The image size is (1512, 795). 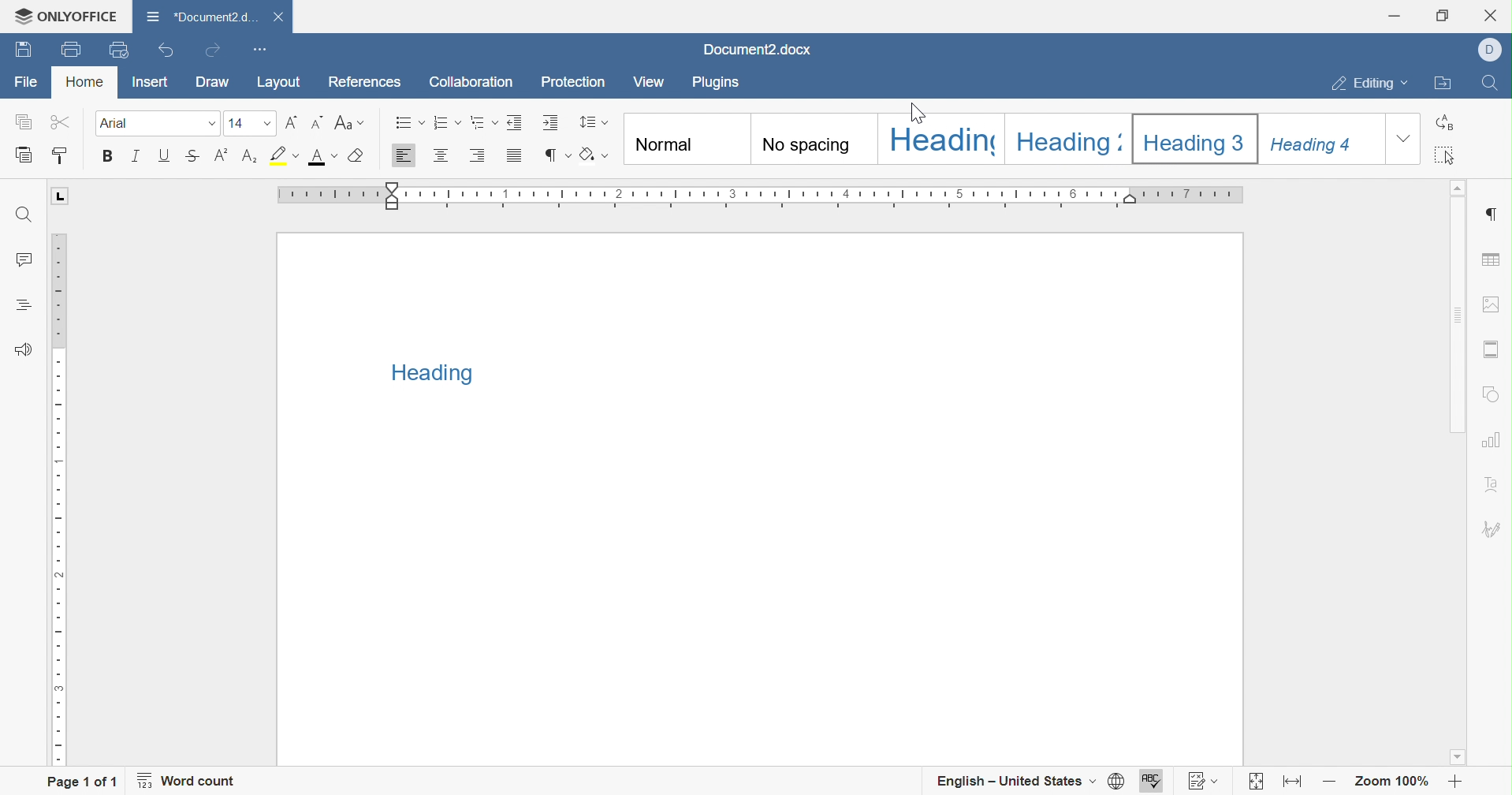 What do you see at coordinates (940, 140) in the screenshot?
I see `Heading` at bounding box center [940, 140].